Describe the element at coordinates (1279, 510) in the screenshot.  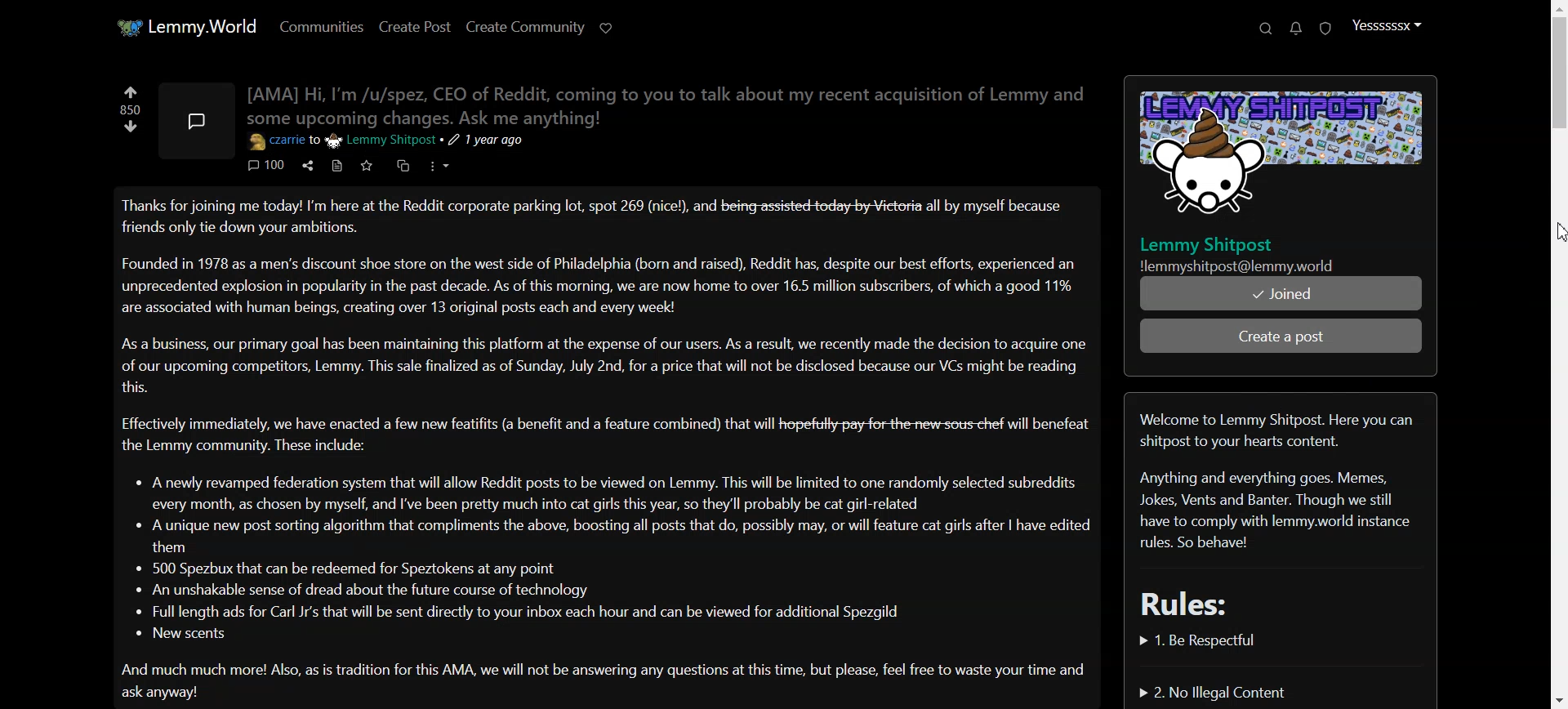
I see `Text` at that location.